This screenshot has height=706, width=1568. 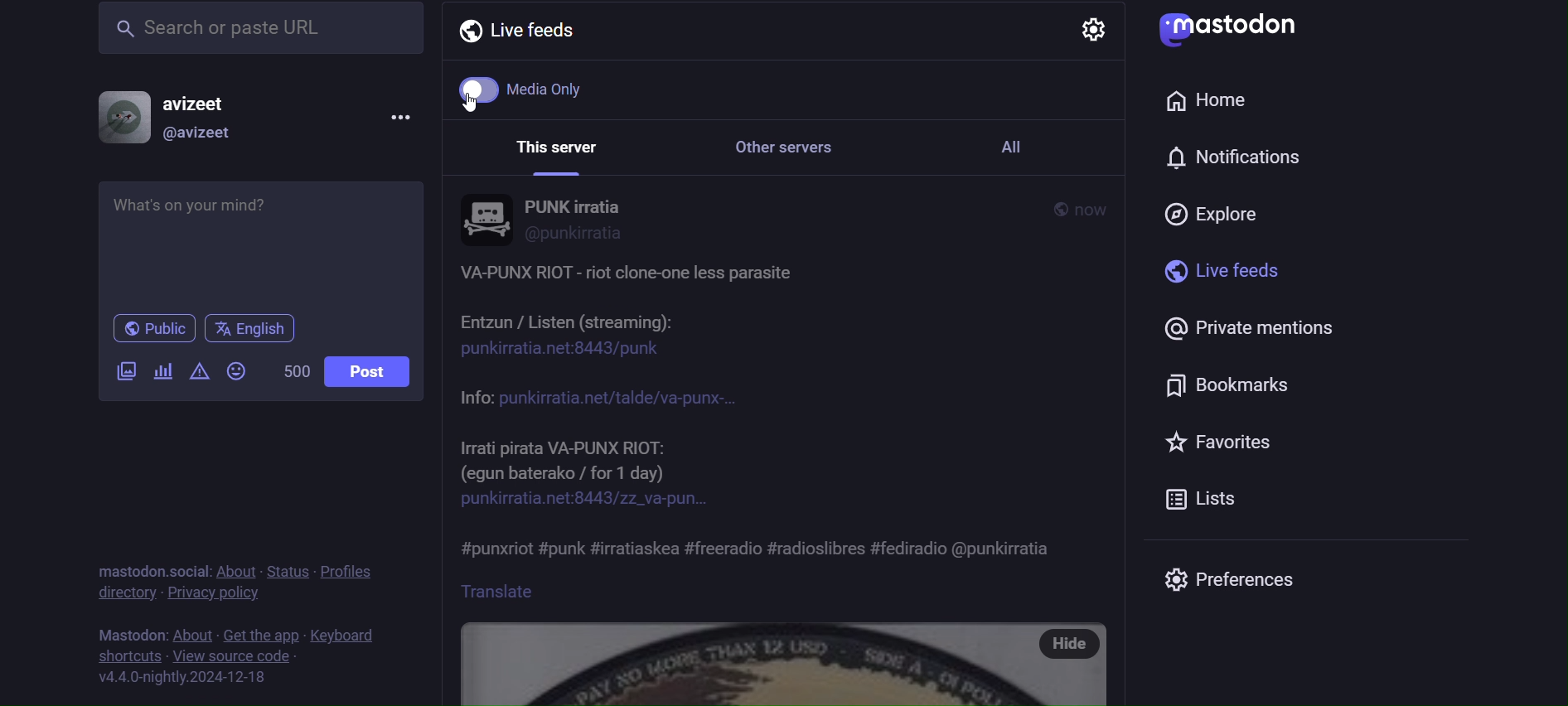 What do you see at coordinates (255, 32) in the screenshot?
I see `search` at bounding box center [255, 32].